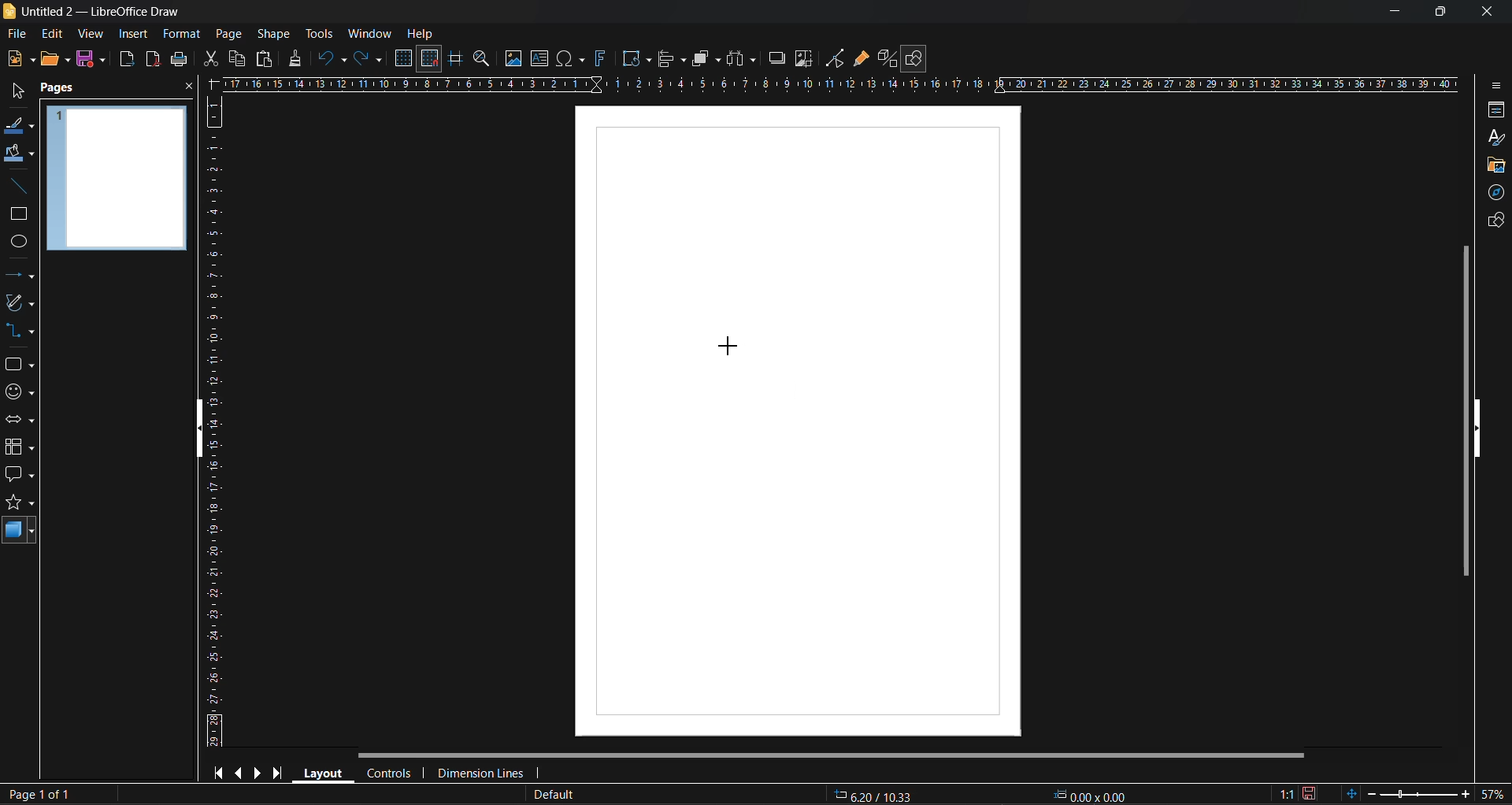  What do you see at coordinates (275, 772) in the screenshot?
I see `last` at bounding box center [275, 772].